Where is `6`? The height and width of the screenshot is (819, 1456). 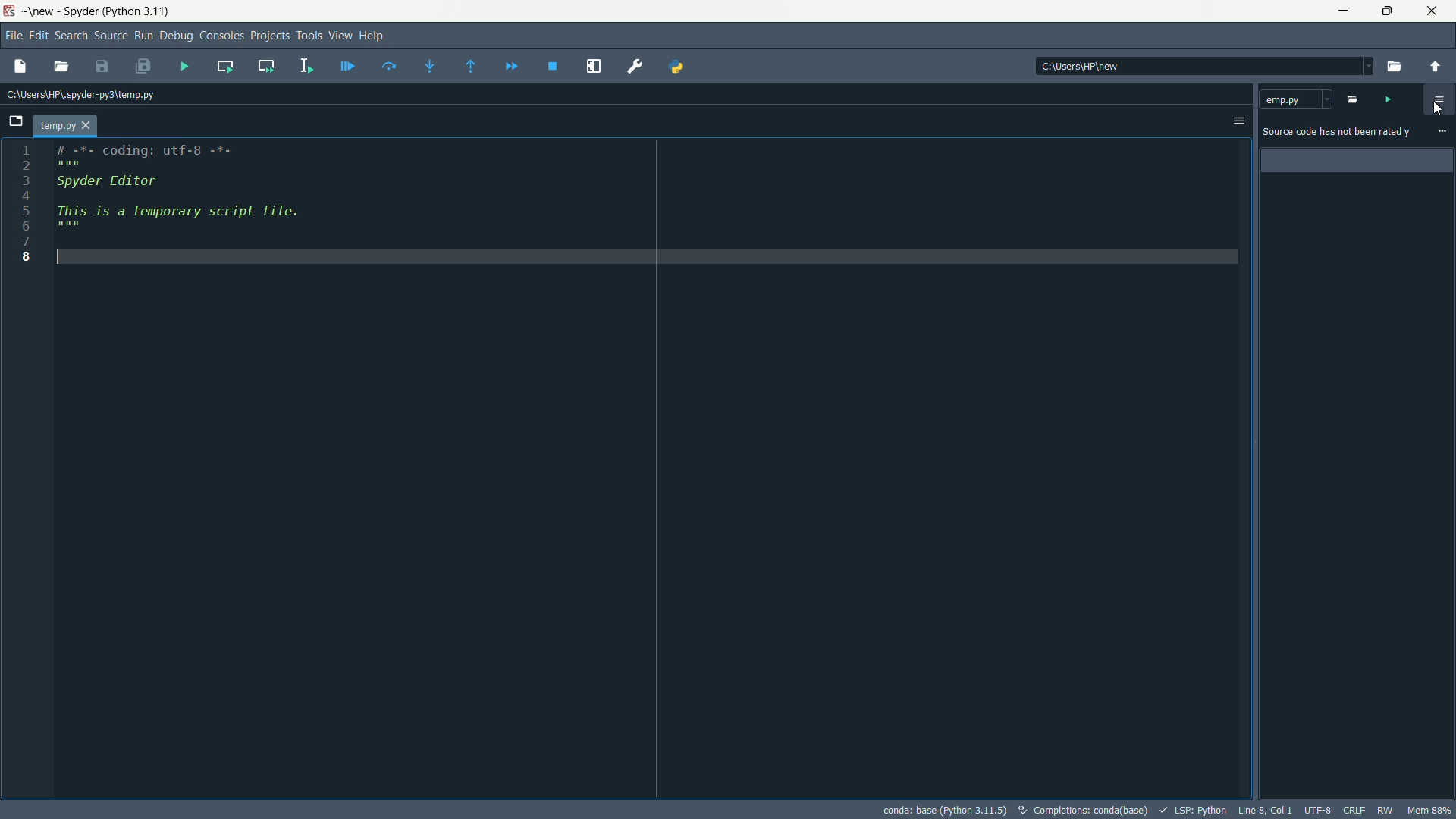 6 is located at coordinates (25, 224).